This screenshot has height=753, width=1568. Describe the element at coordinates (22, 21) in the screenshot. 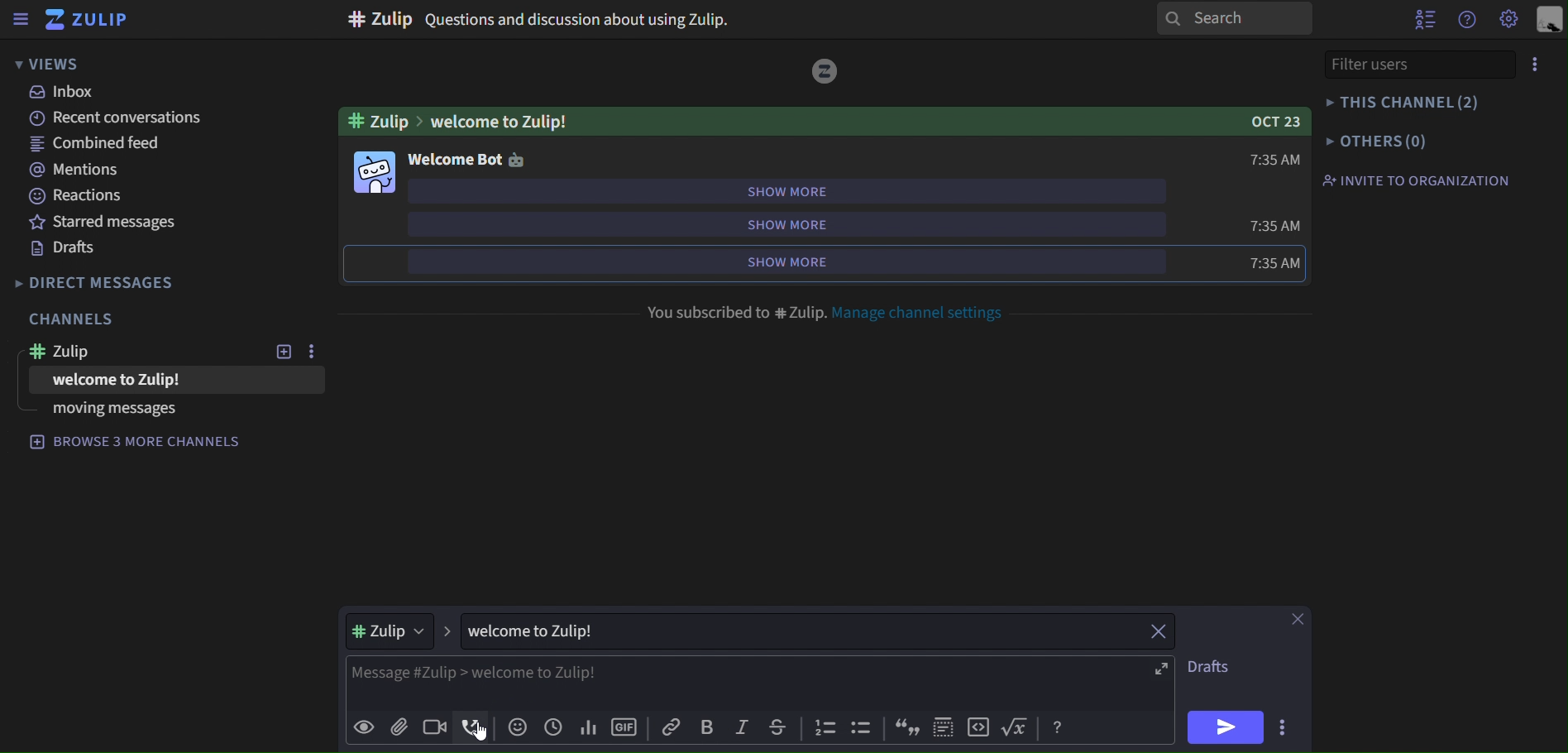

I see `sidebar` at that location.